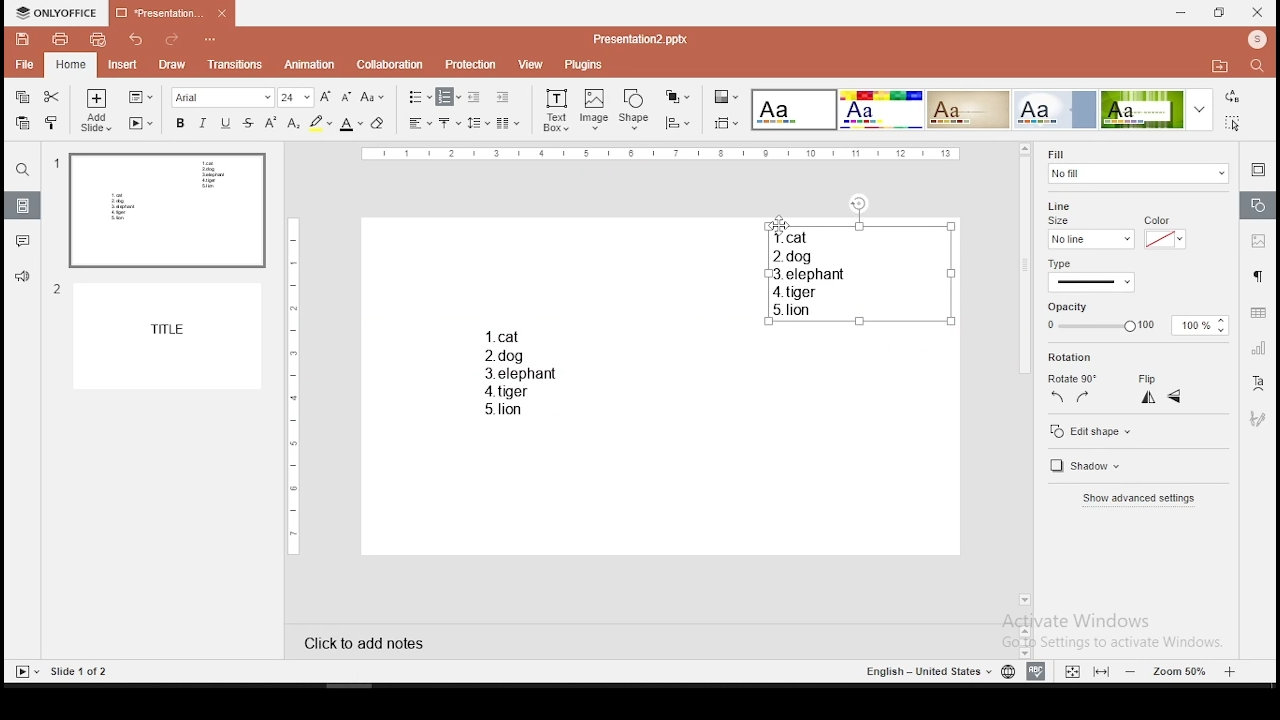 The width and height of the screenshot is (1280, 720). Describe the element at coordinates (1260, 386) in the screenshot. I see `text art tool` at that location.